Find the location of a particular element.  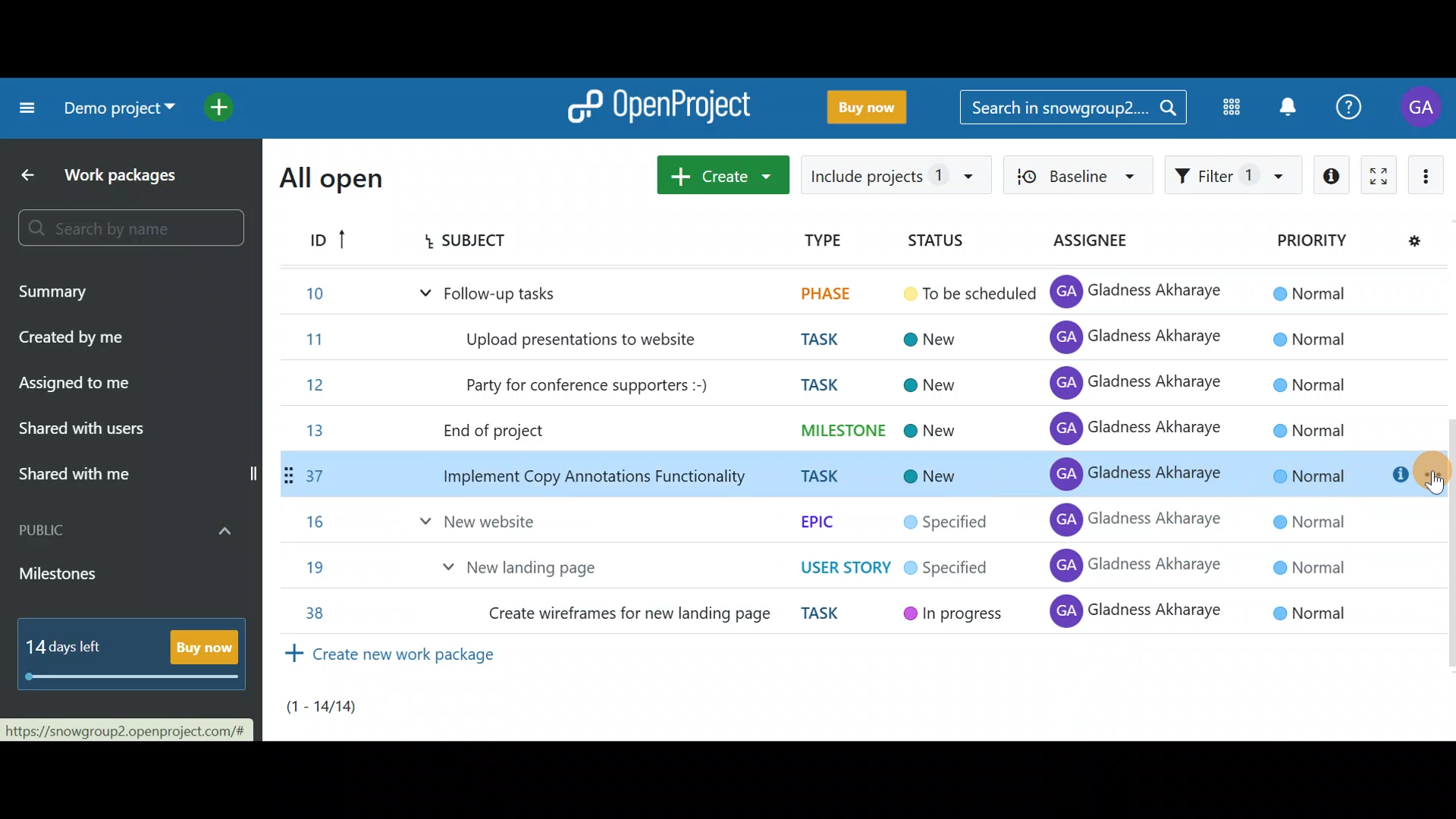

11 is located at coordinates (304, 338).